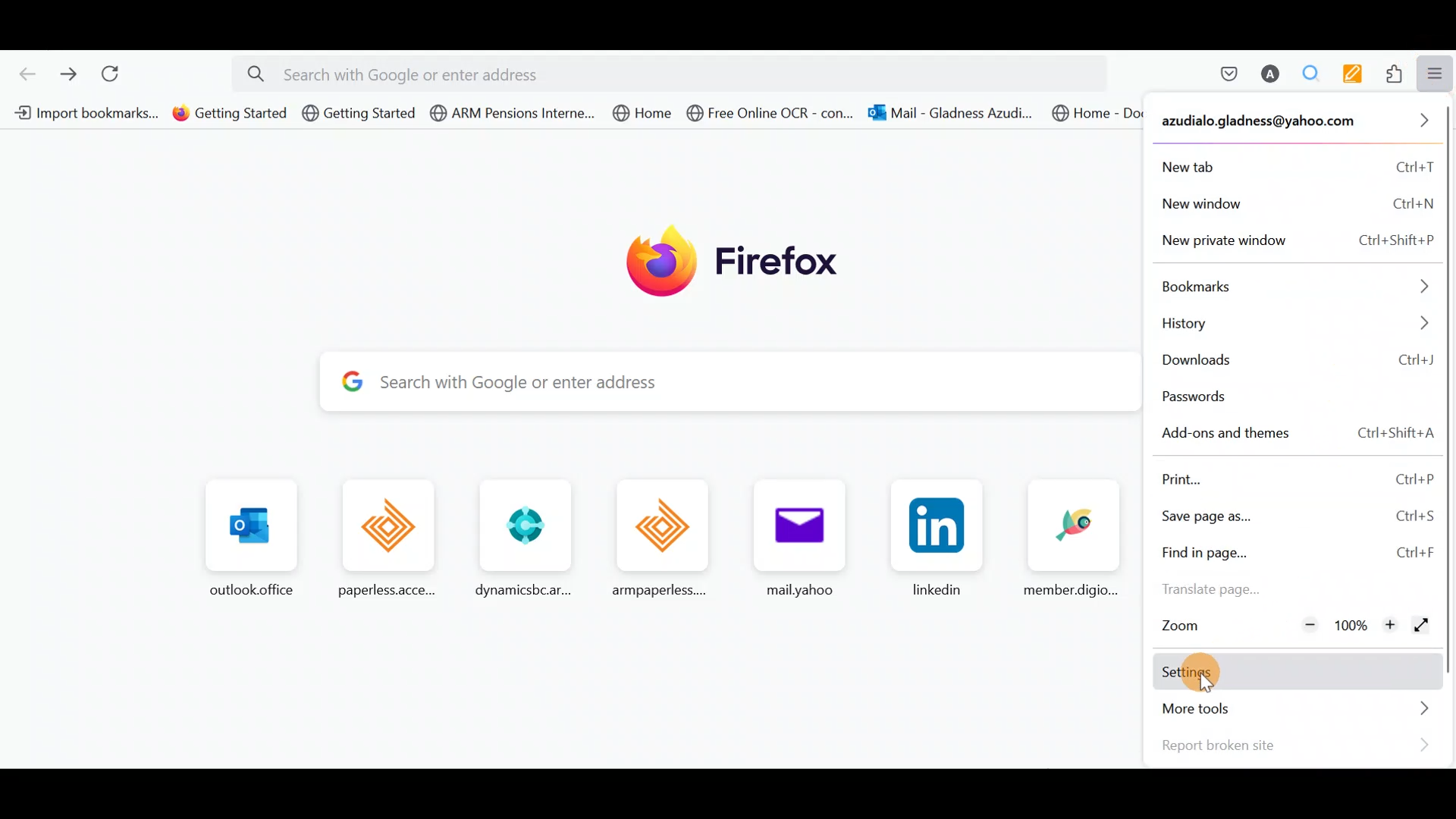  Describe the element at coordinates (67, 70) in the screenshot. I see `Go forward one page` at that location.